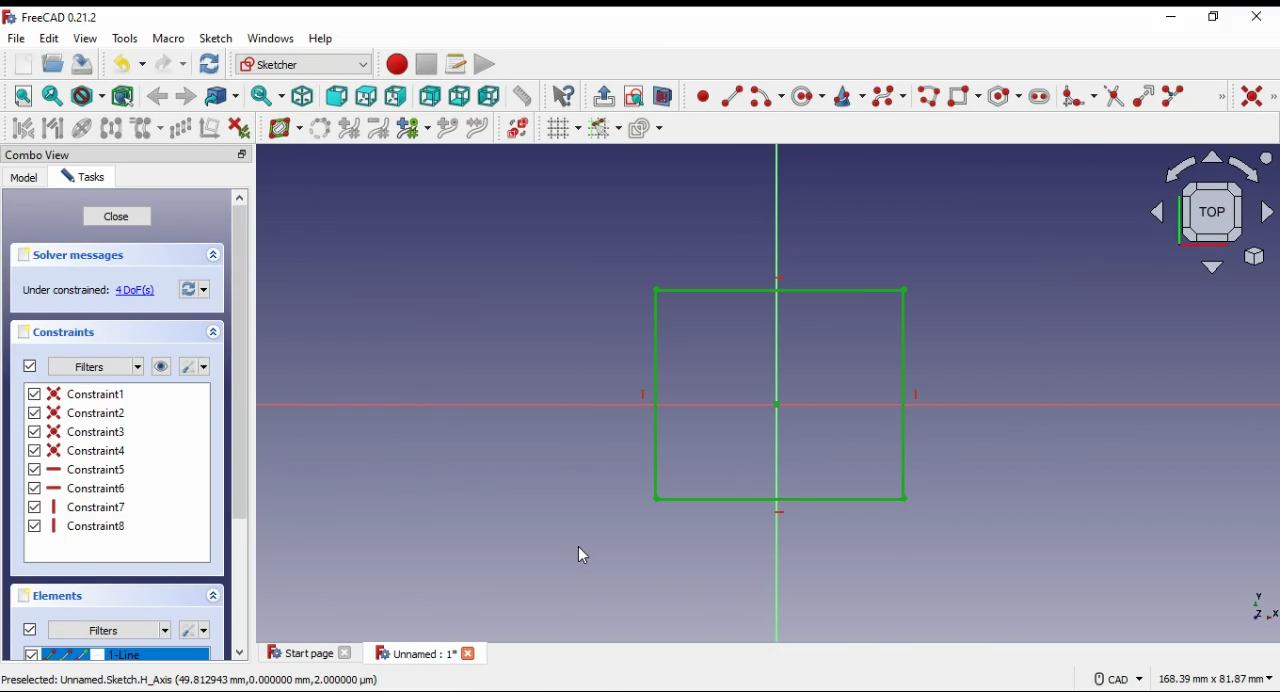 This screenshot has width=1280, height=692. What do you see at coordinates (1258, 97) in the screenshot?
I see `constraint coincident` at bounding box center [1258, 97].